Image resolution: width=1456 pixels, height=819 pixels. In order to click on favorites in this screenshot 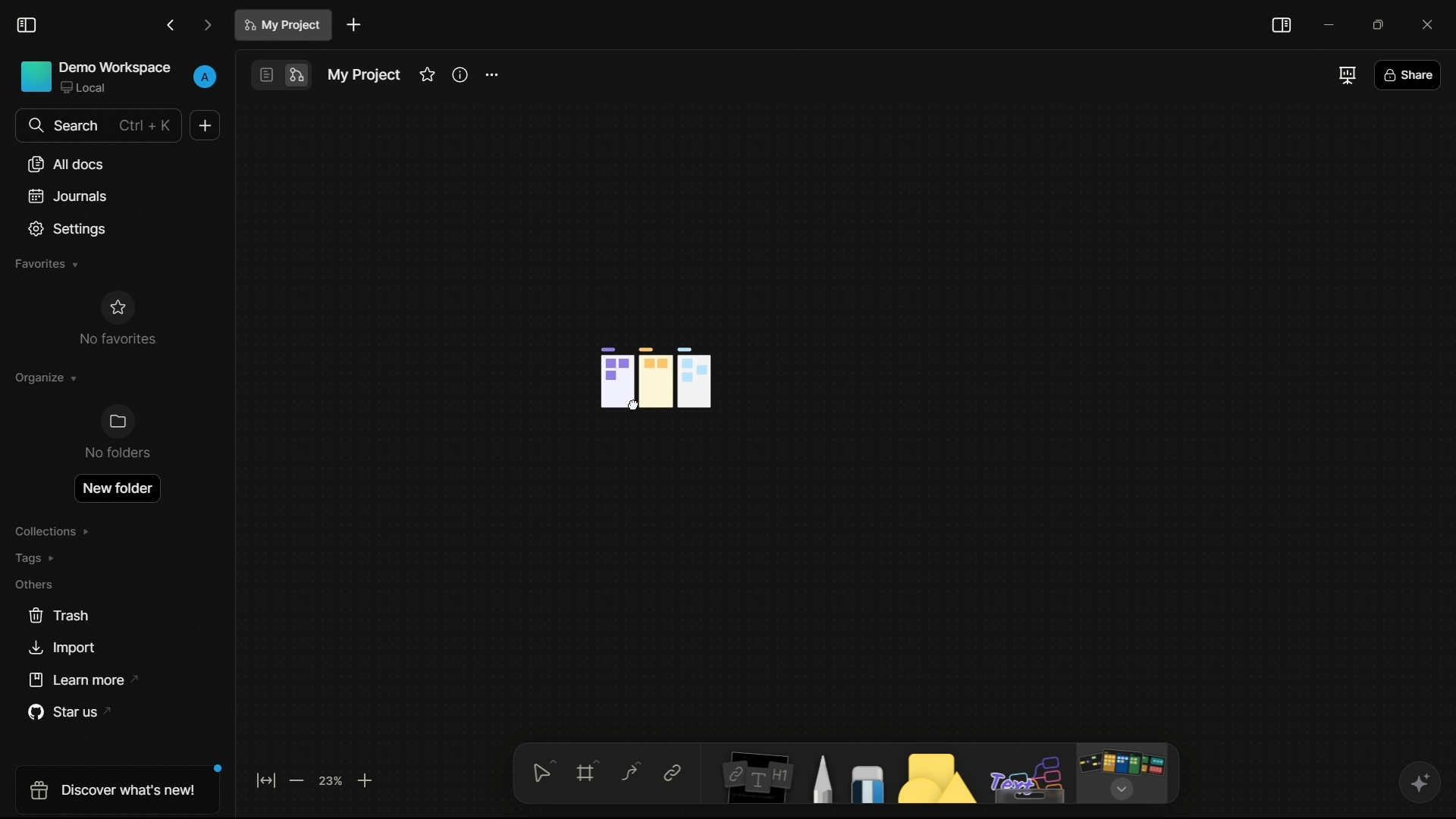, I will do `click(45, 264)`.